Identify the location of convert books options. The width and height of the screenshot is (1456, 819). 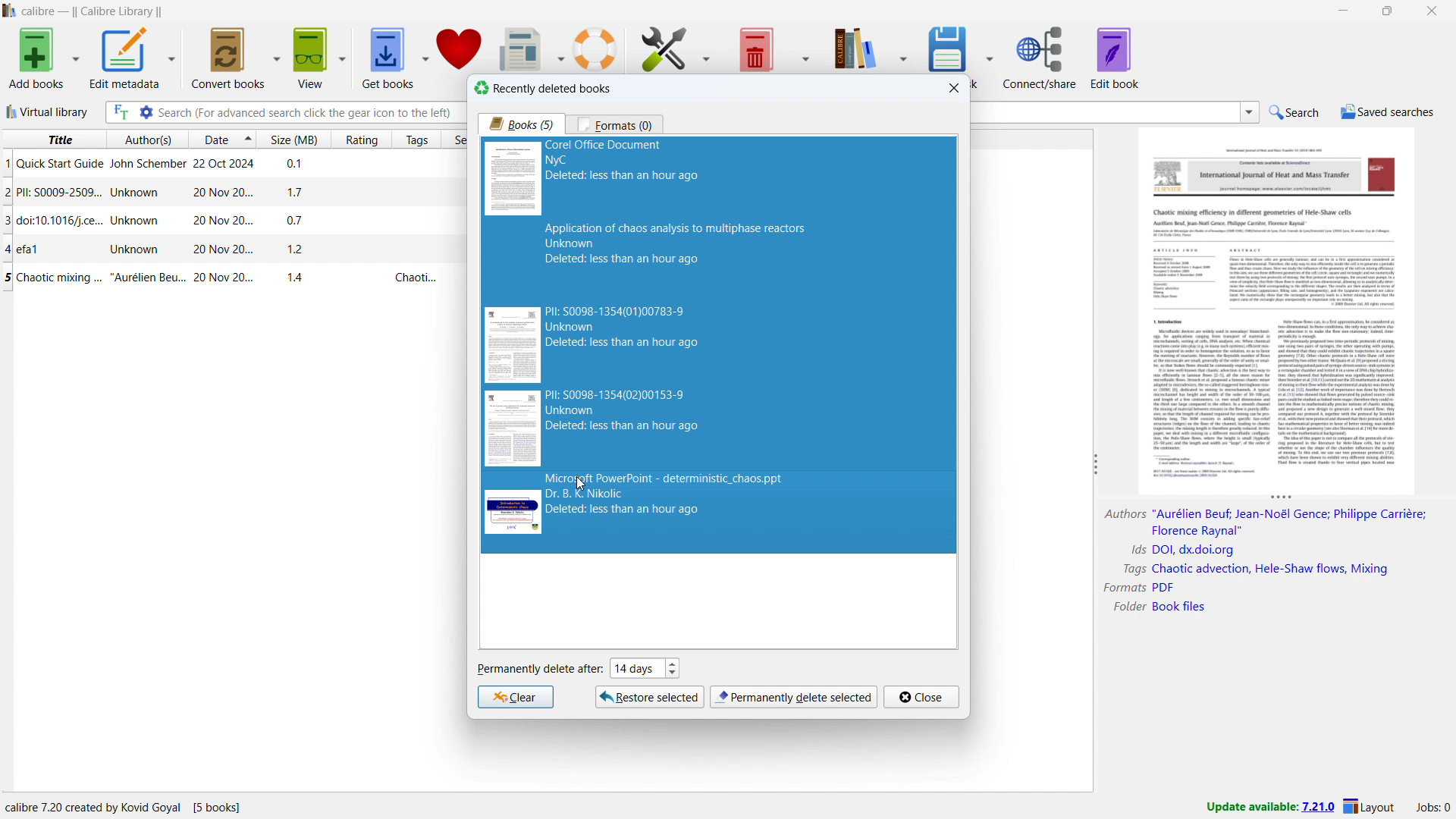
(276, 58).